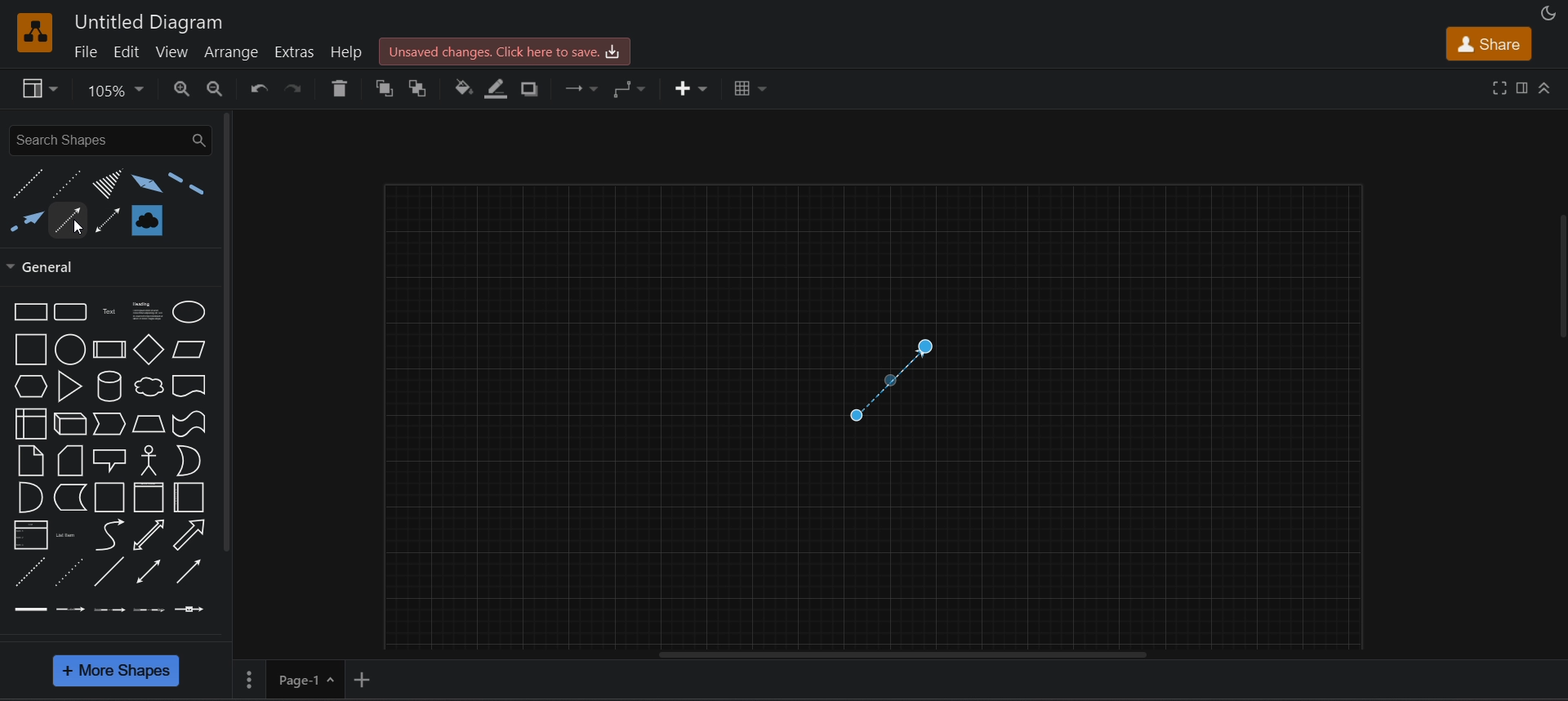 The width and height of the screenshot is (1568, 701). I want to click on vertical container, so click(151, 497).